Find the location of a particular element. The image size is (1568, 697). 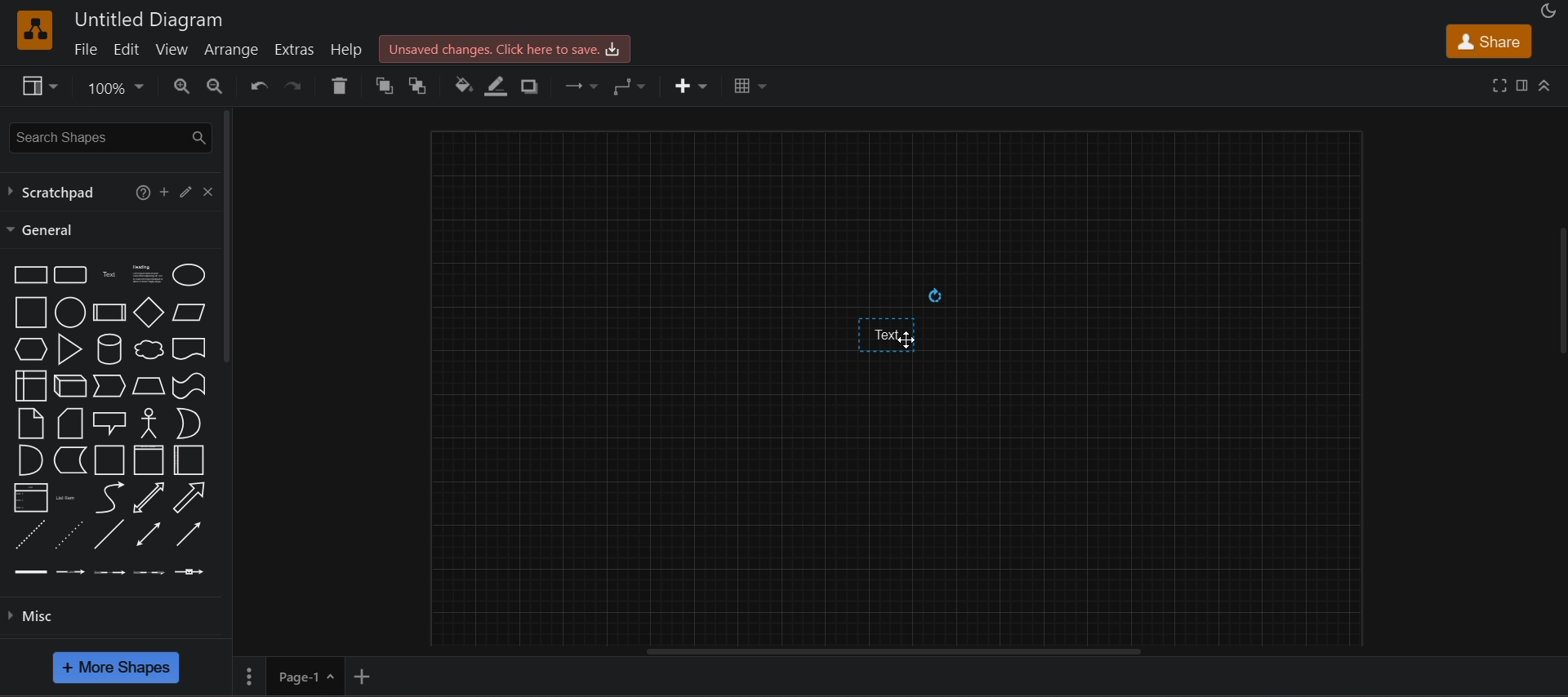

shadow is located at coordinates (530, 87).